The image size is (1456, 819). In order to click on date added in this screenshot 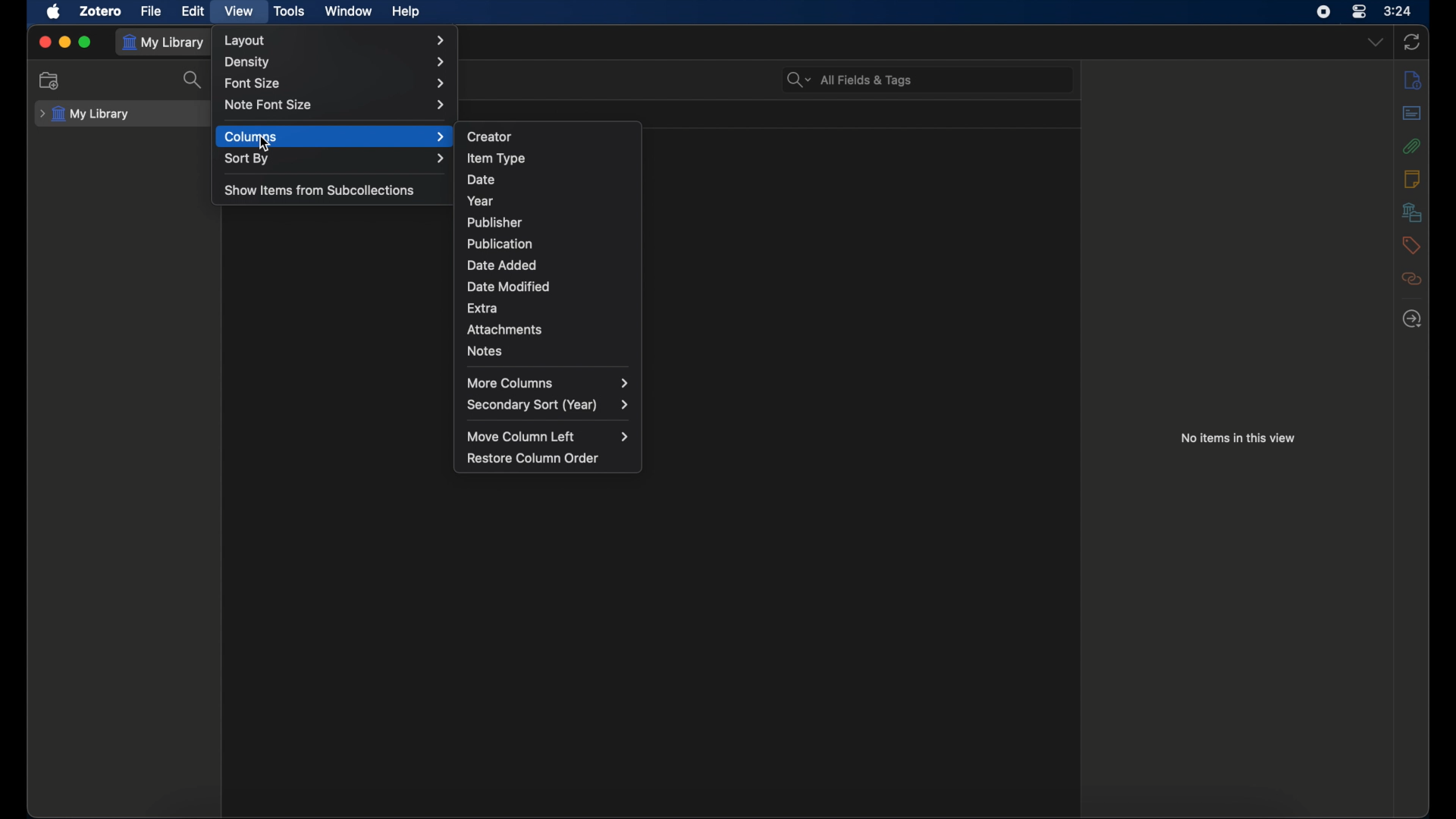, I will do `click(502, 265)`.